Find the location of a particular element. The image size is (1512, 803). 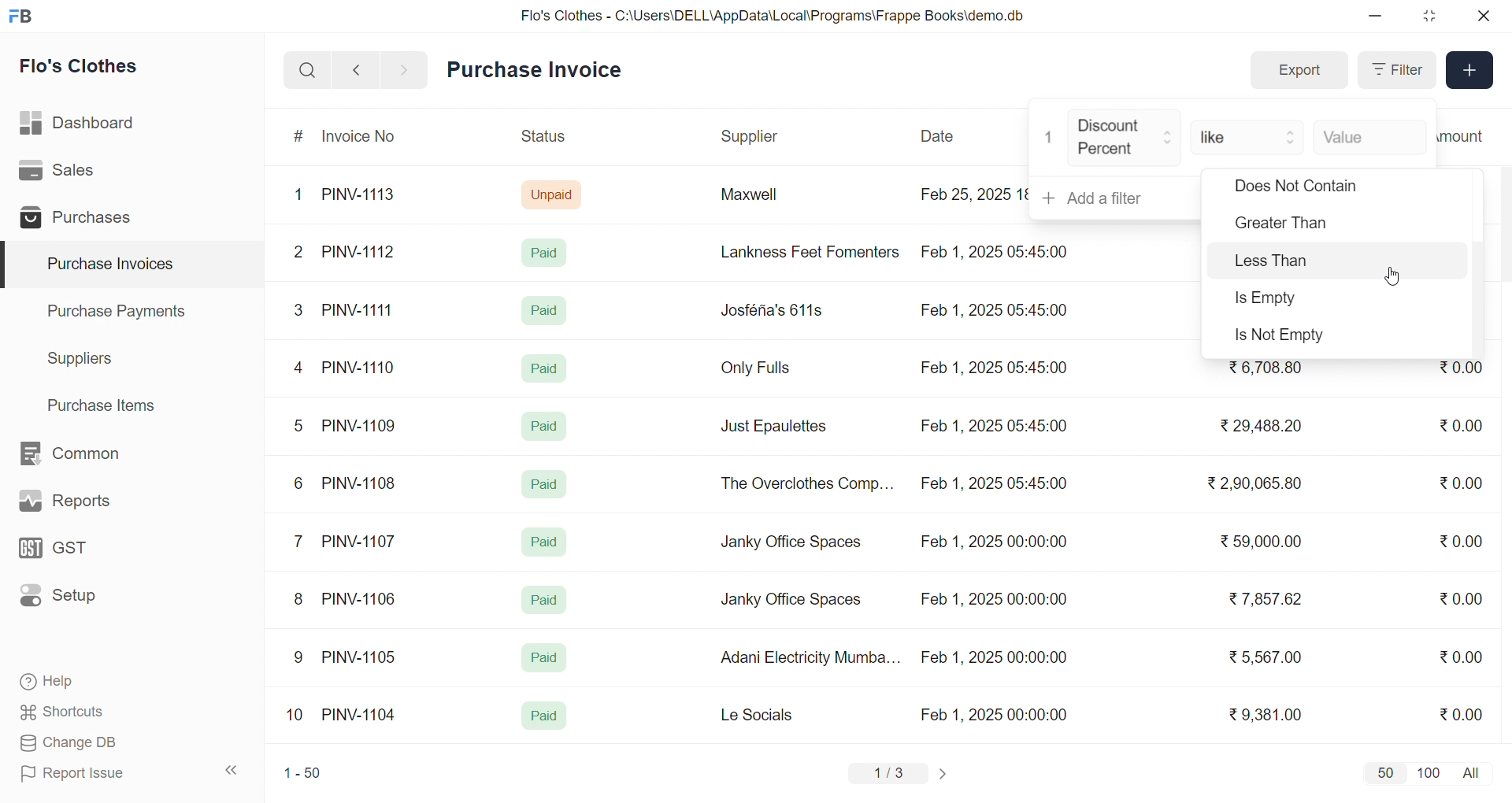

Common is located at coordinates (87, 454).